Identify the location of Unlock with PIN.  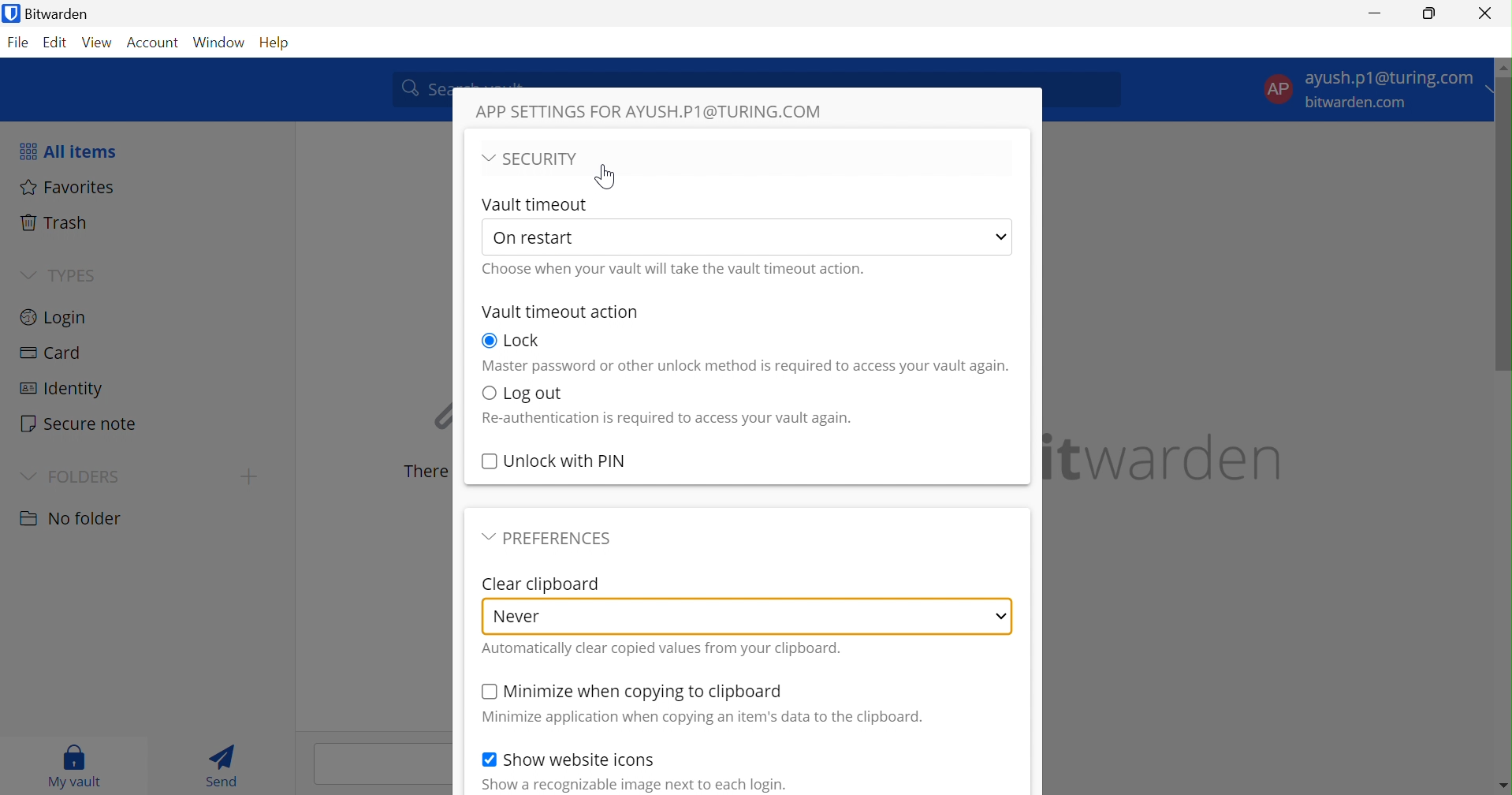
(568, 460).